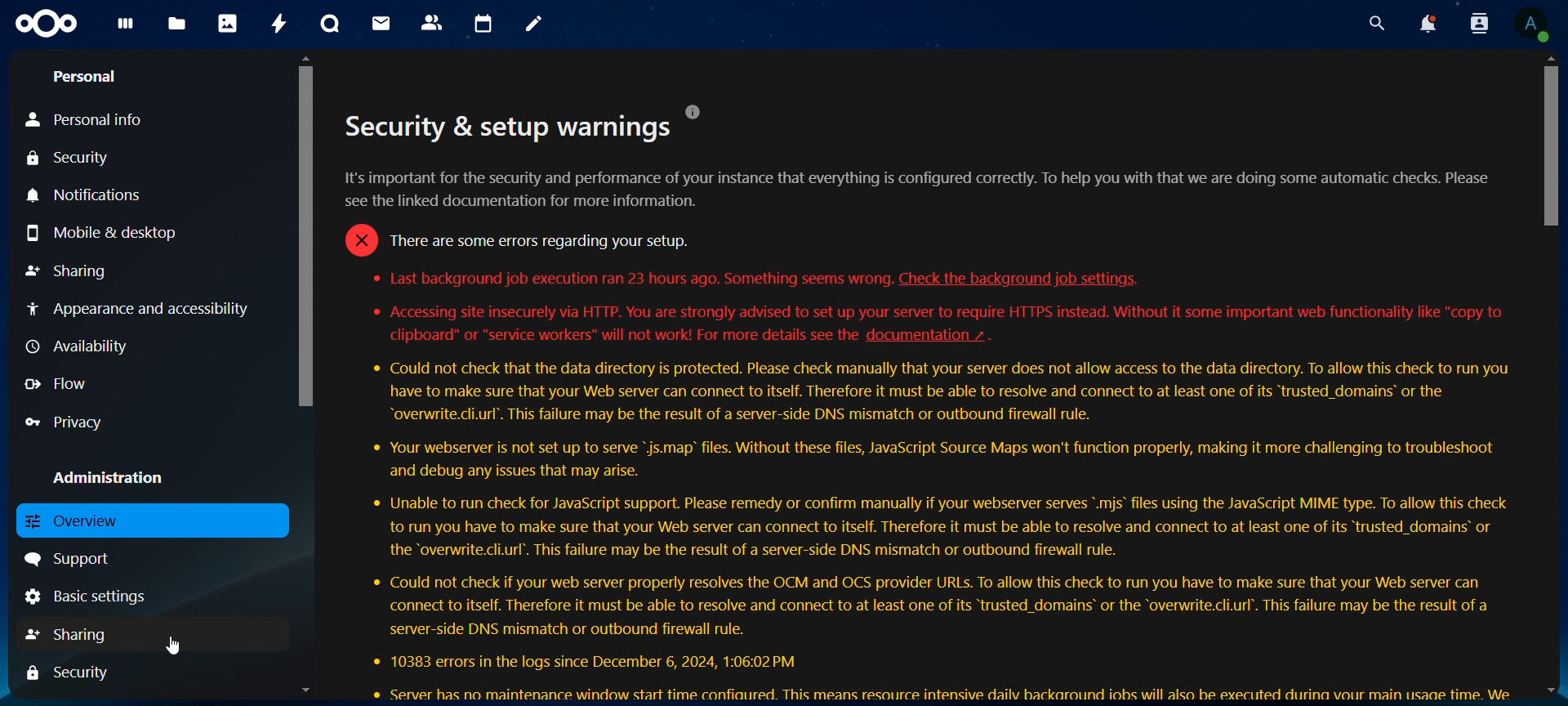 The width and height of the screenshot is (1568, 706). What do you see at coordinates (280, 25) in the screenshot?
I see `activity` at bounding box center [280, 25].